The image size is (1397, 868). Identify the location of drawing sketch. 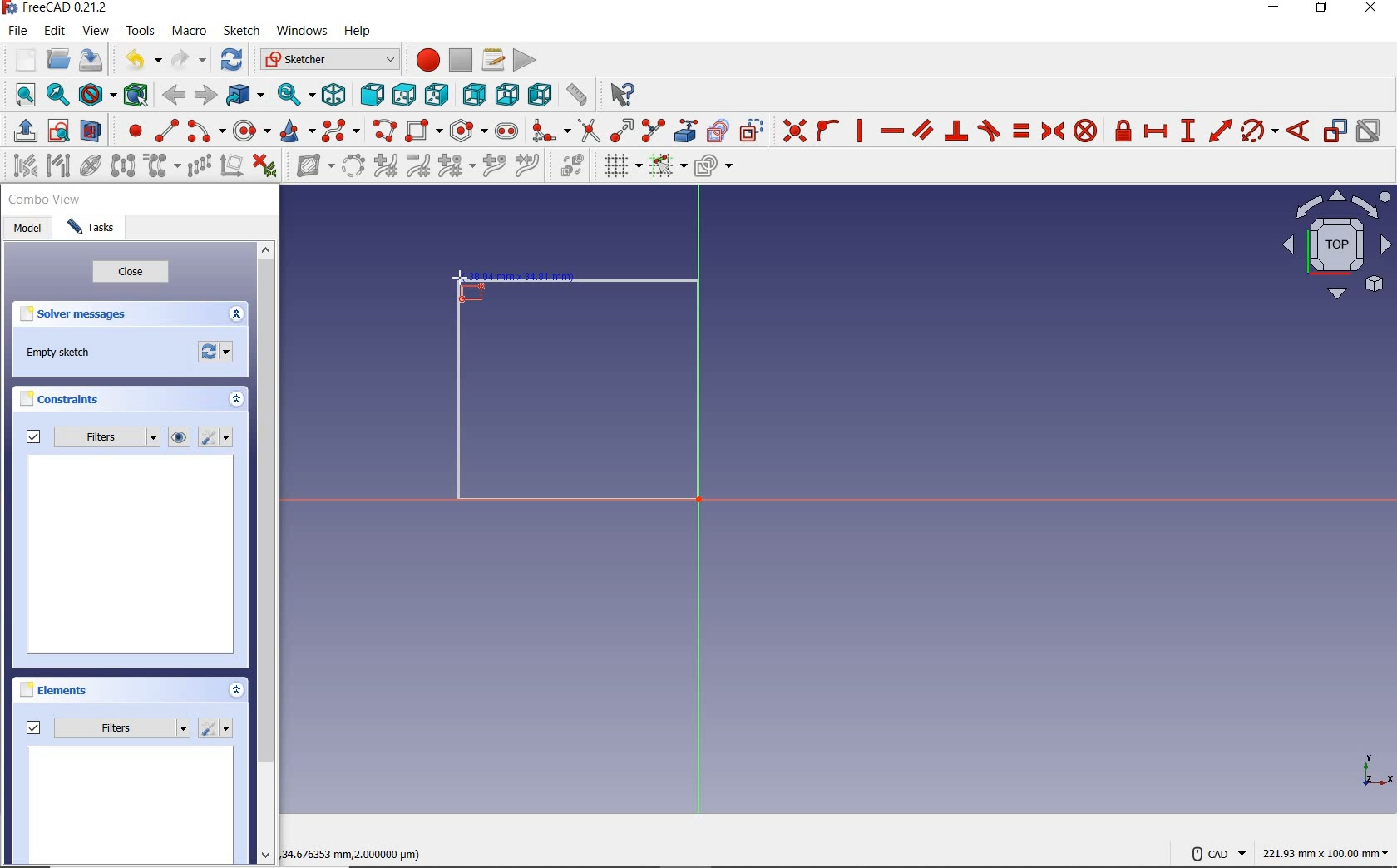
(570, 384).